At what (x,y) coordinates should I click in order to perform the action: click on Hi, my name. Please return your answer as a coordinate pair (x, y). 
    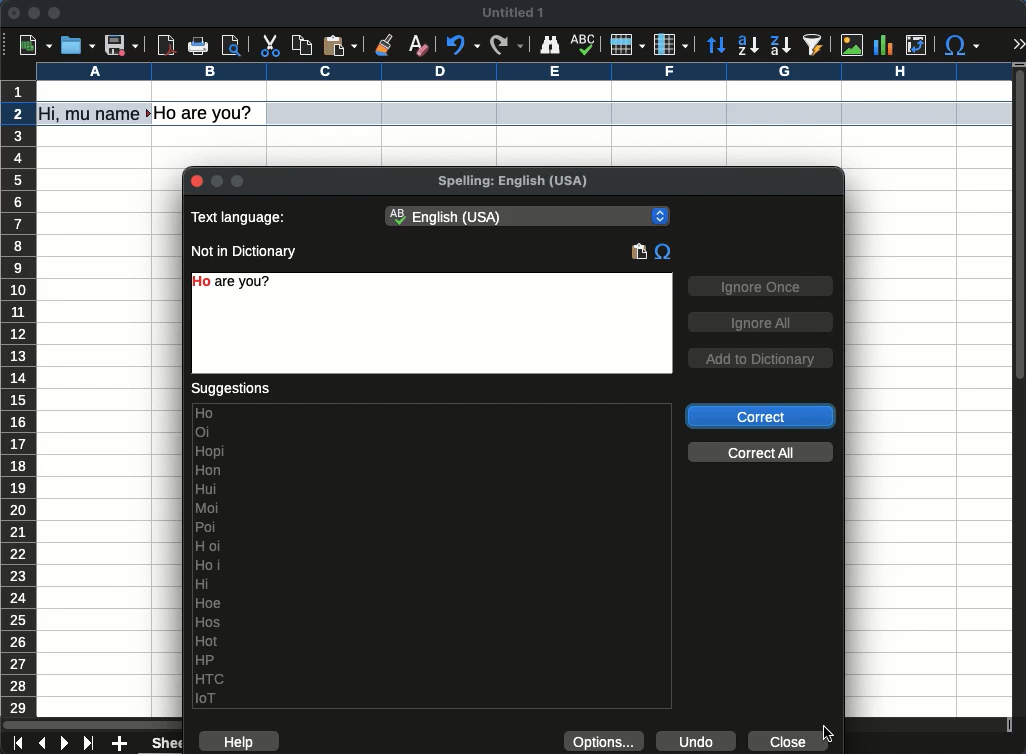
    Looking at the image, I should click on (94, 114).